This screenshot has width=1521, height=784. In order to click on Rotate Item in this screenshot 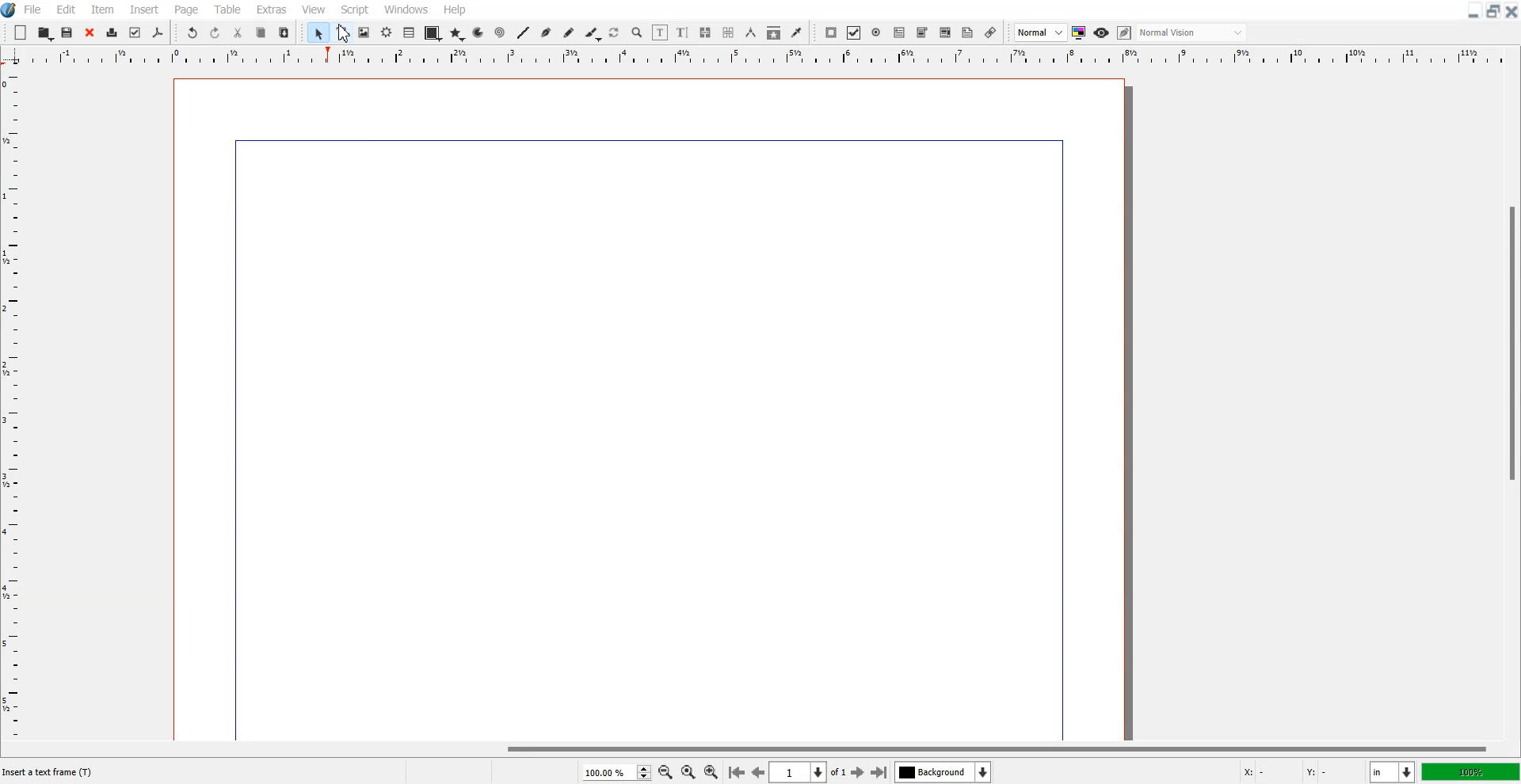, I will do `click(616, 33)`.